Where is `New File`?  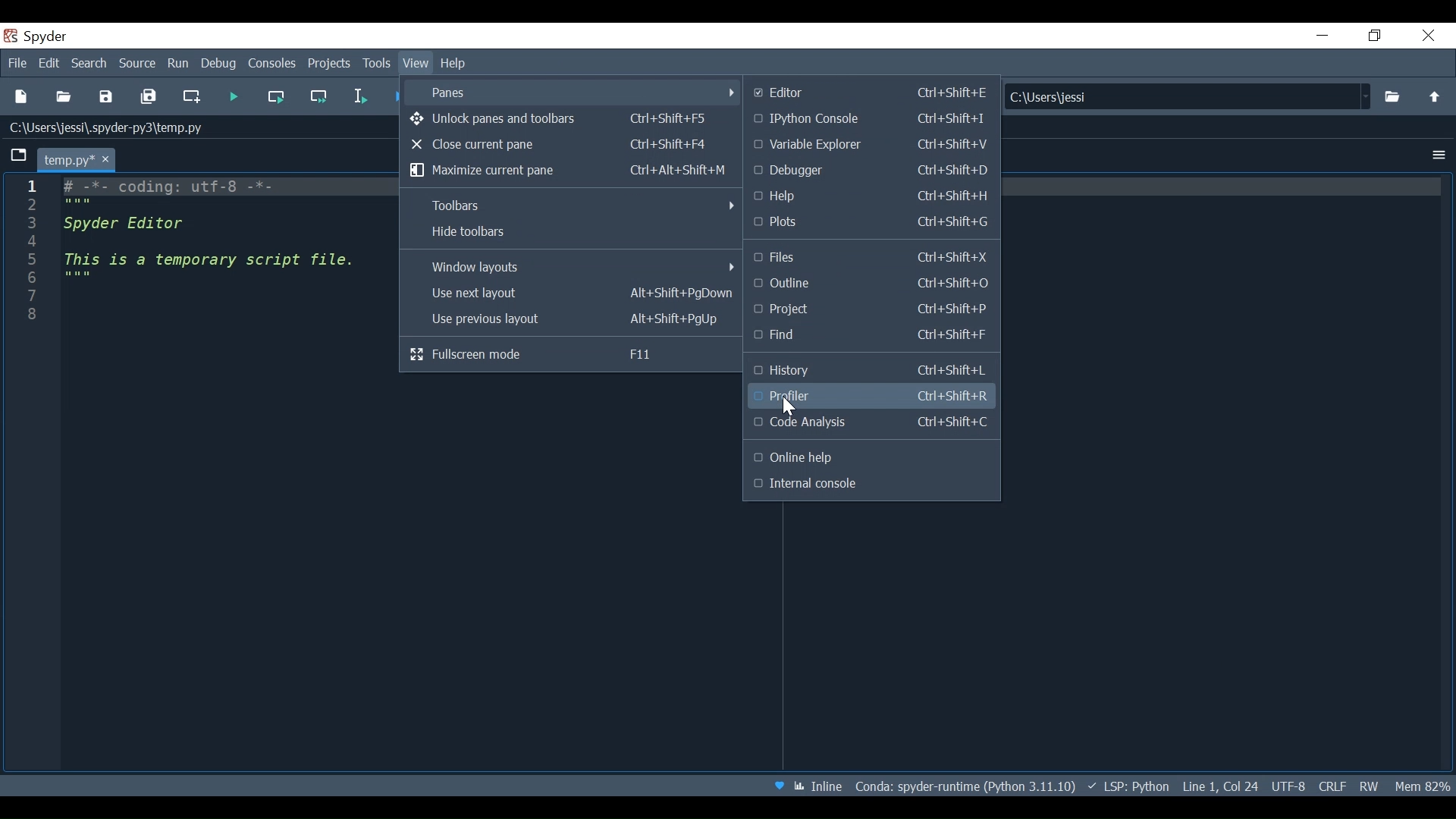
New File is located at coordinates (21, 97).